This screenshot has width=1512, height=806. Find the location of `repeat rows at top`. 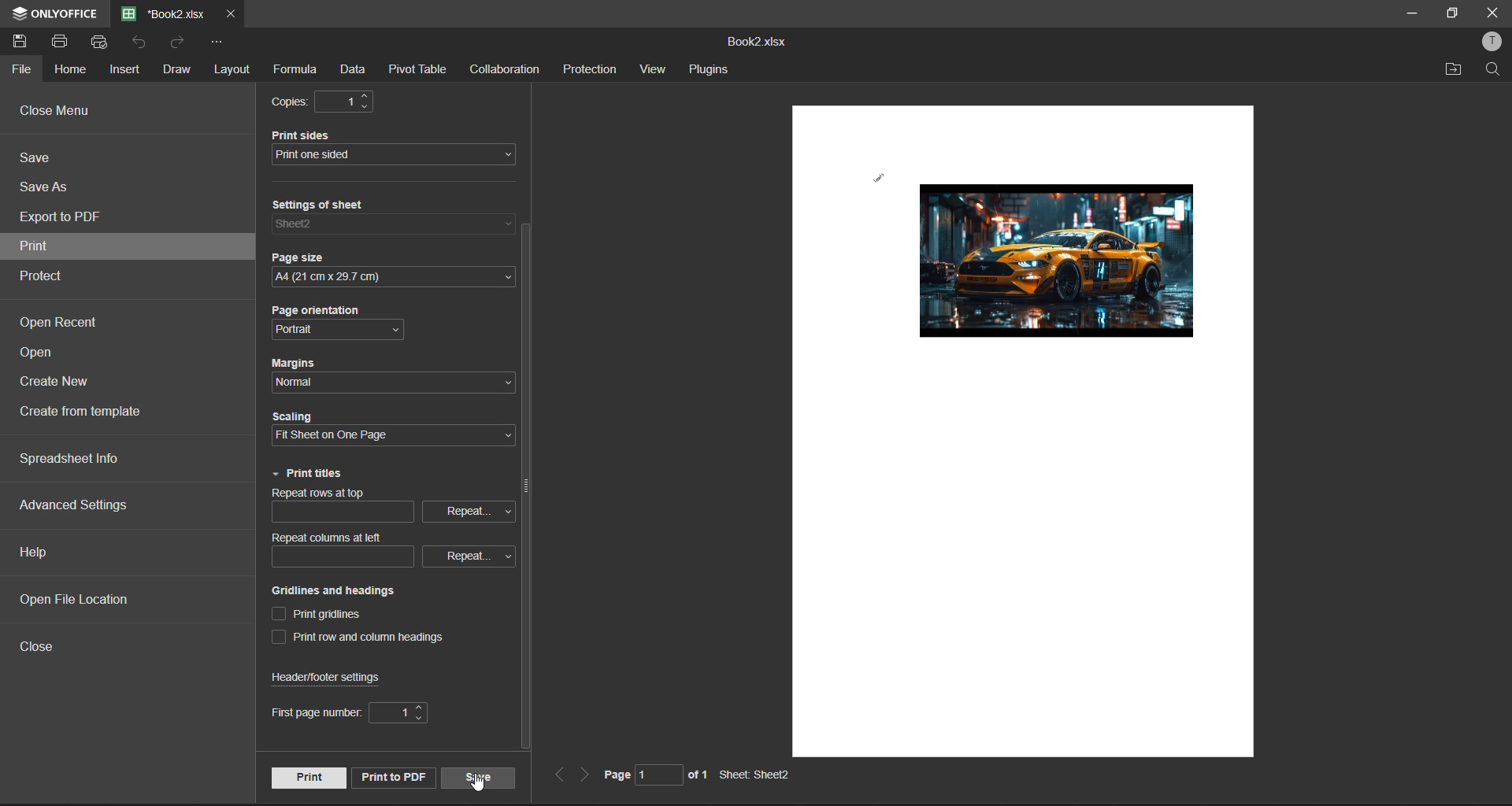

repeat rows at top is located at coordinates (332, 494).